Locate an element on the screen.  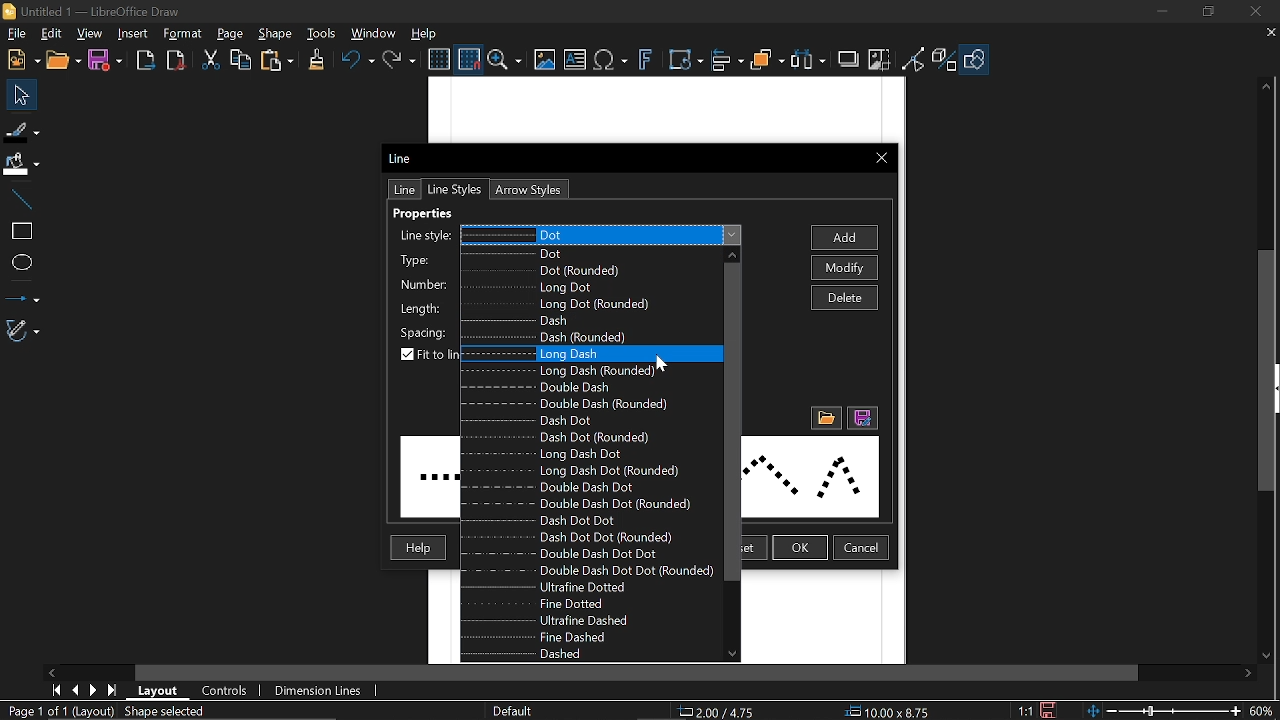
Controls is located at coordinates (225, 691).